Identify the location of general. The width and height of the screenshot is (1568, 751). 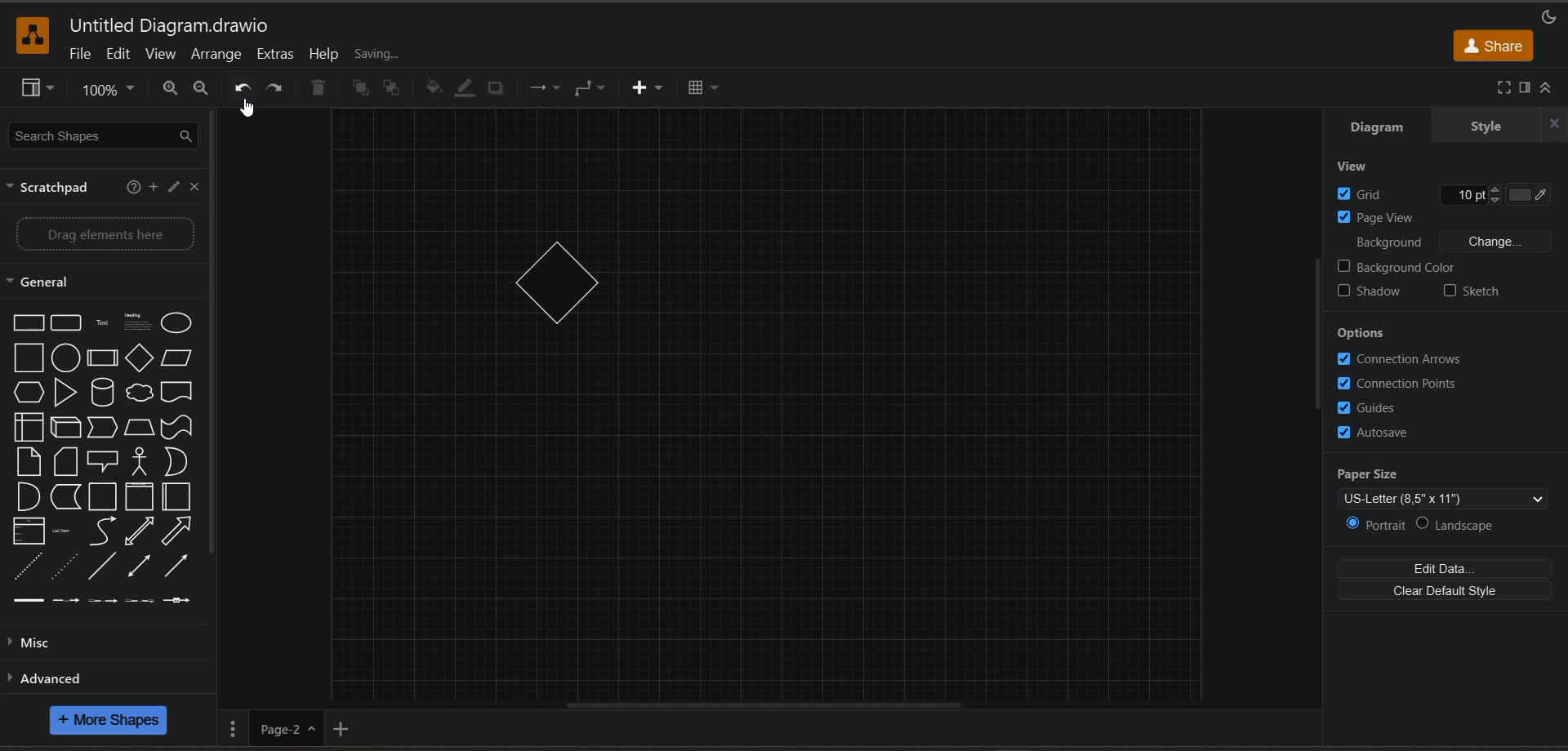
(52, 281).